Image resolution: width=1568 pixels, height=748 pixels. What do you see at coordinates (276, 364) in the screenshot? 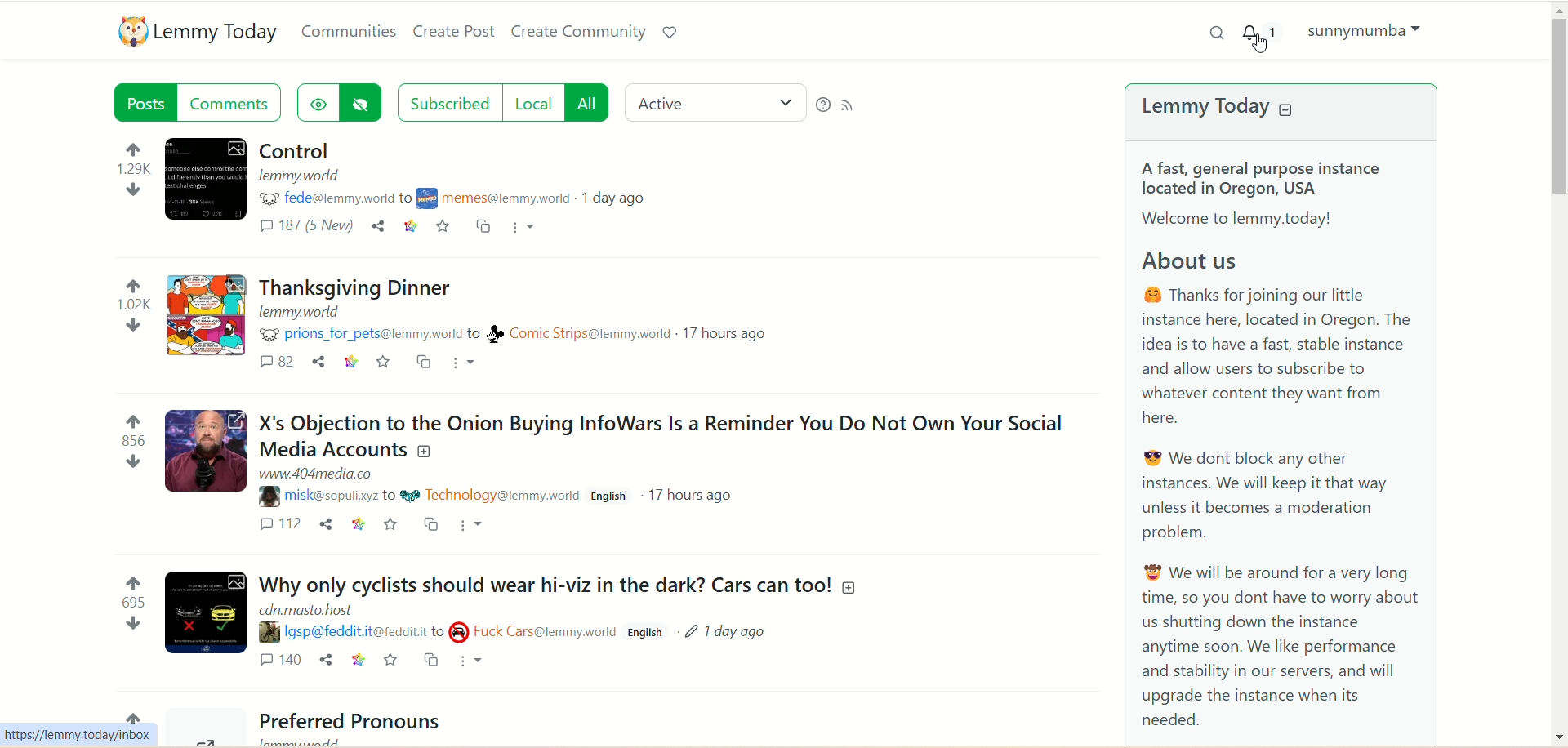
I see `comments 82` at bounding box center [276, 364].